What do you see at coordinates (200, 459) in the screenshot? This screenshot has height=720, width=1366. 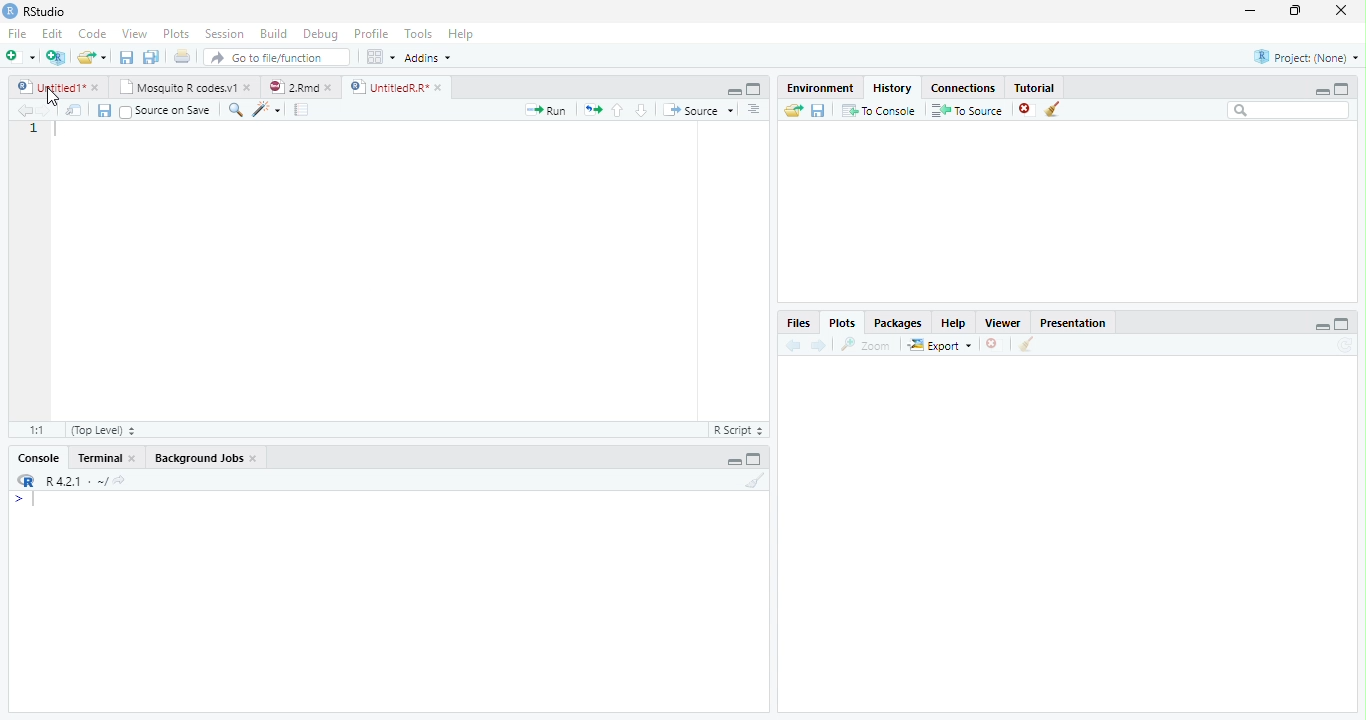 I see `Background Jobs` at bounding box center [200, 459].